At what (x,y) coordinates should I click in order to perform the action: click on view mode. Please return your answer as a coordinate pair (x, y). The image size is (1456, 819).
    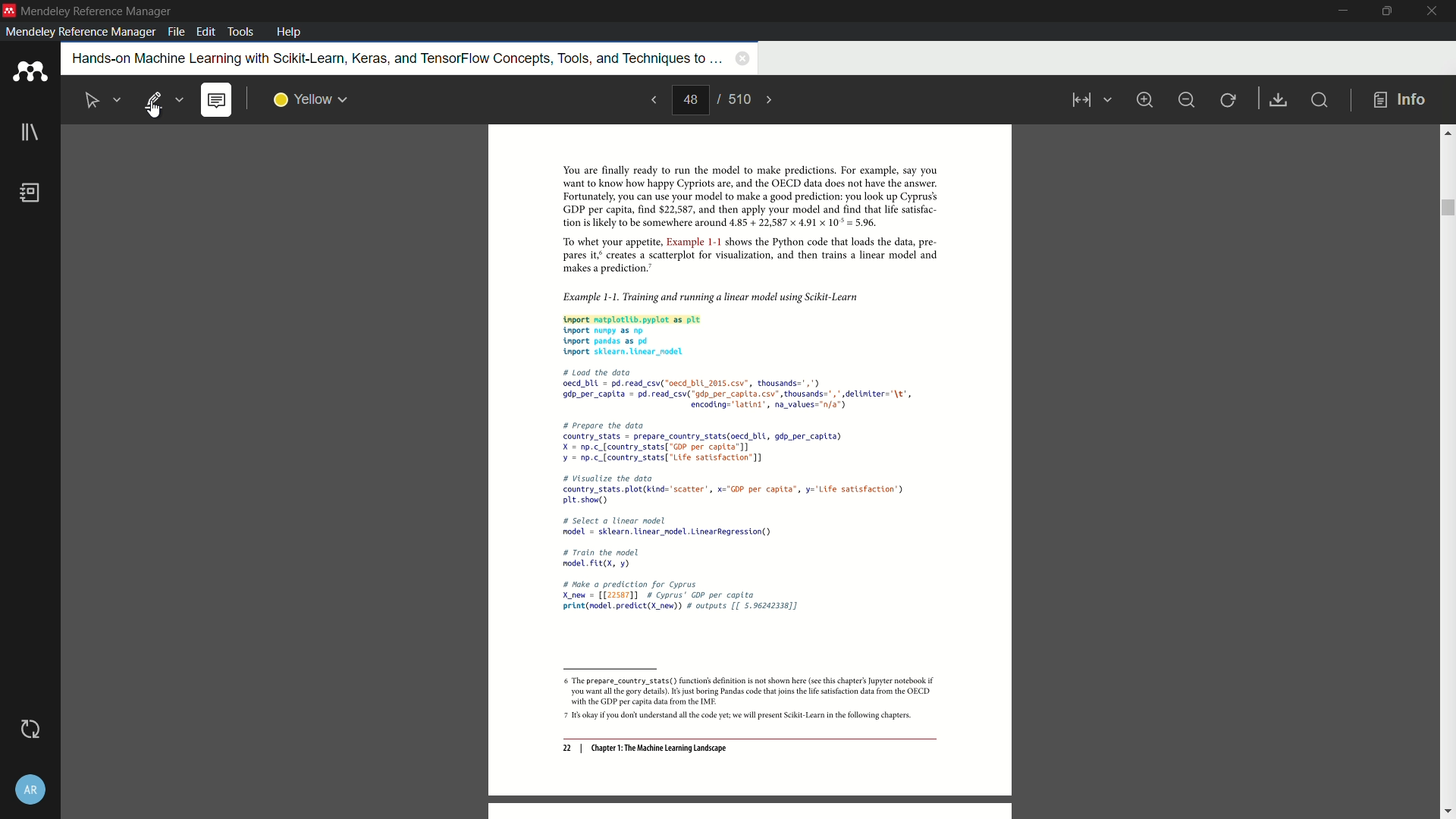
    Looking at the image, I should click on (1089, 100).